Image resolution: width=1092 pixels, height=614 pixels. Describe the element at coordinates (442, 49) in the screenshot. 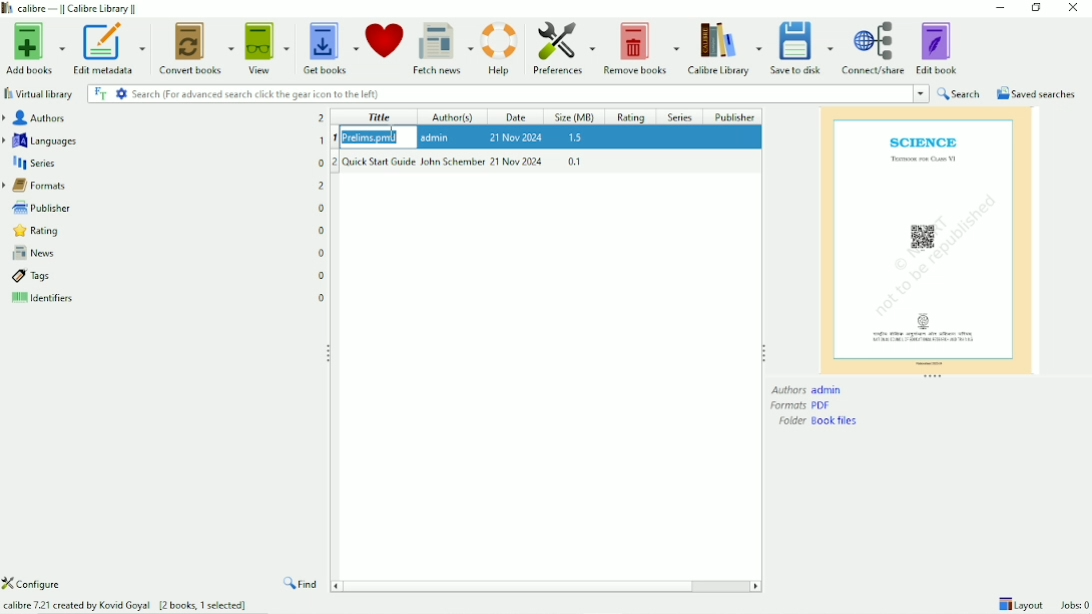

I see `Fetch news` at that location.